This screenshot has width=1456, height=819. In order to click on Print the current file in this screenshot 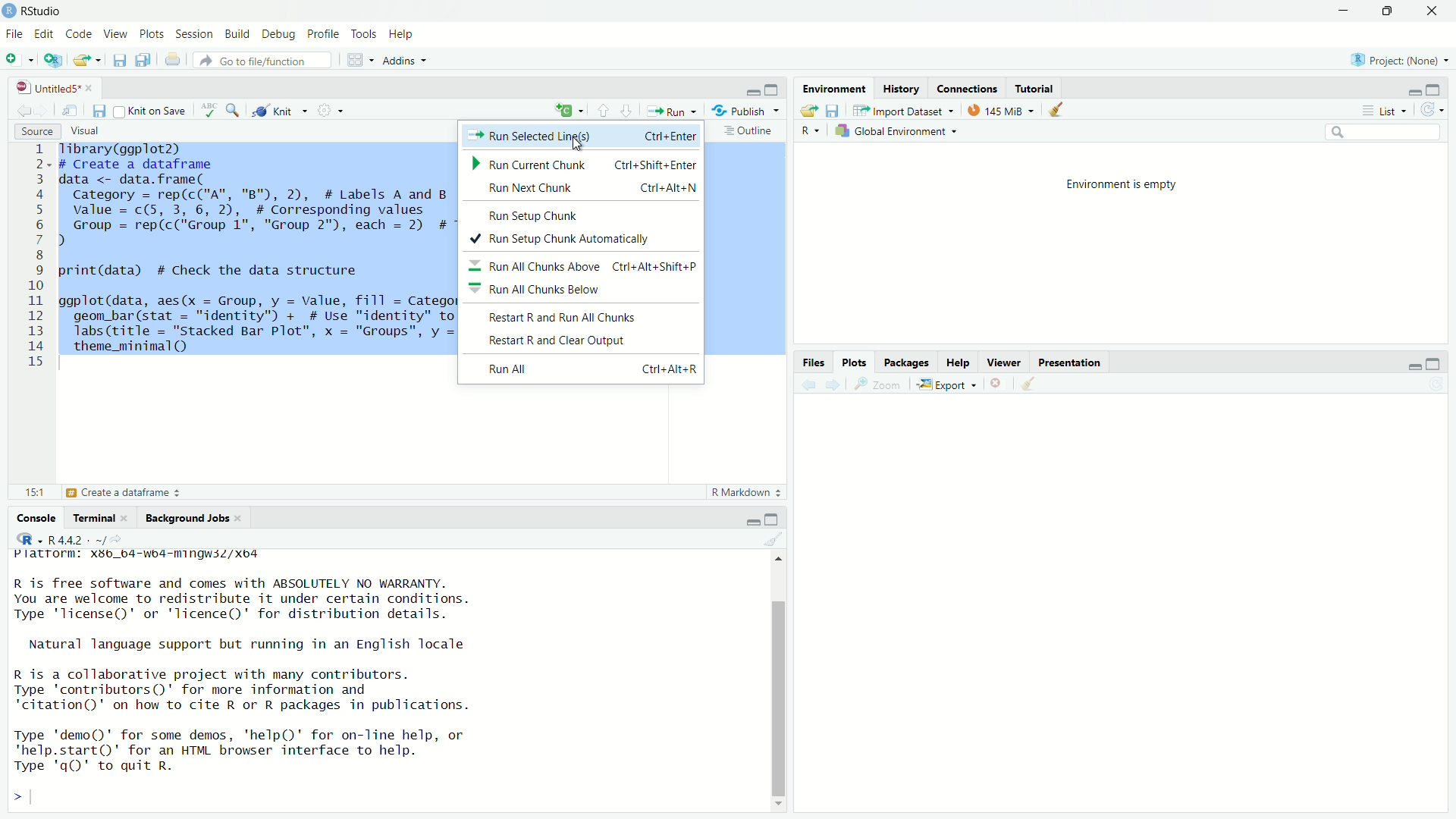, I will do `click(174, 61)`.